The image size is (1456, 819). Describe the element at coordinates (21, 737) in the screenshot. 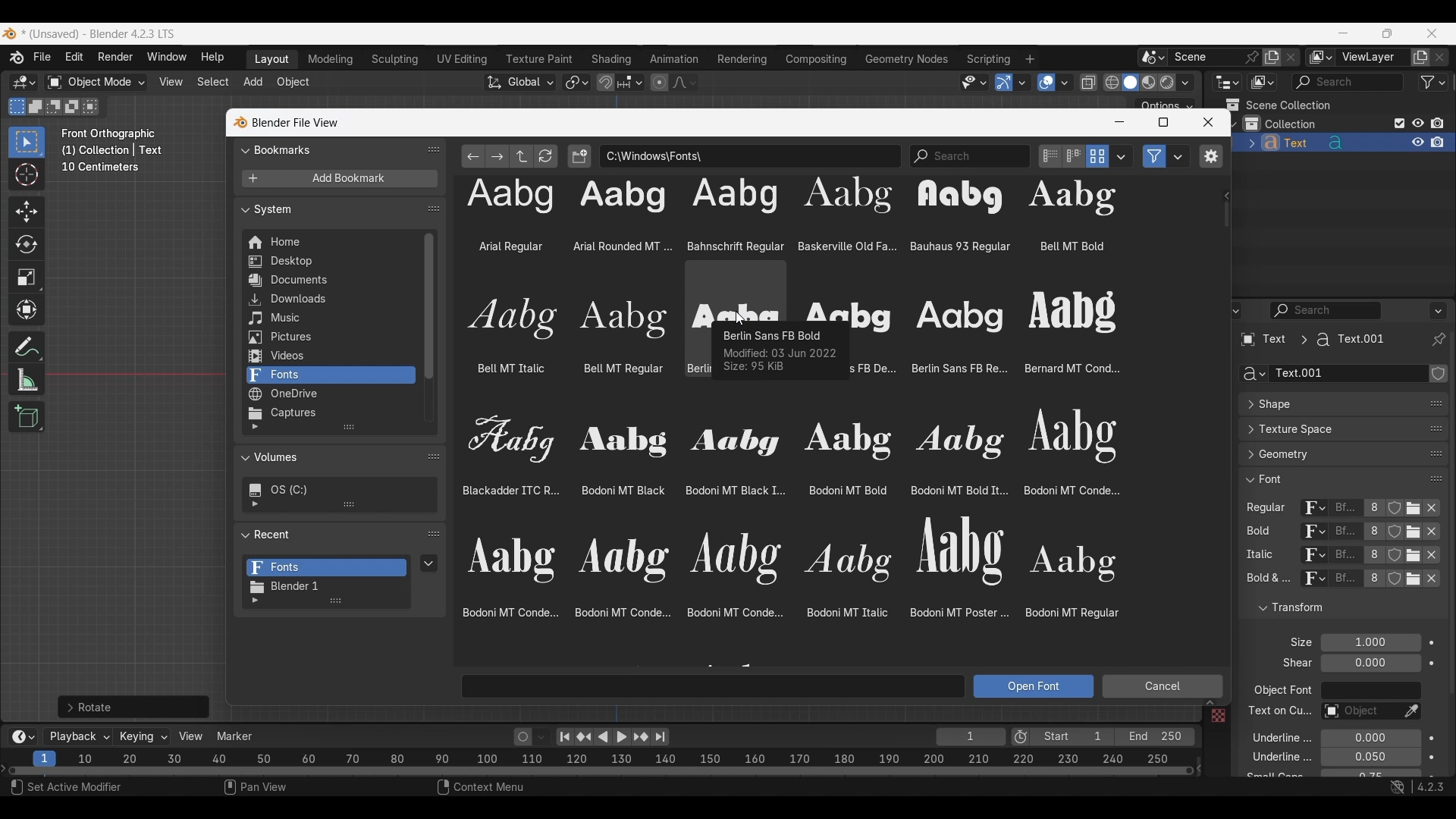

I see `More options` at that location.